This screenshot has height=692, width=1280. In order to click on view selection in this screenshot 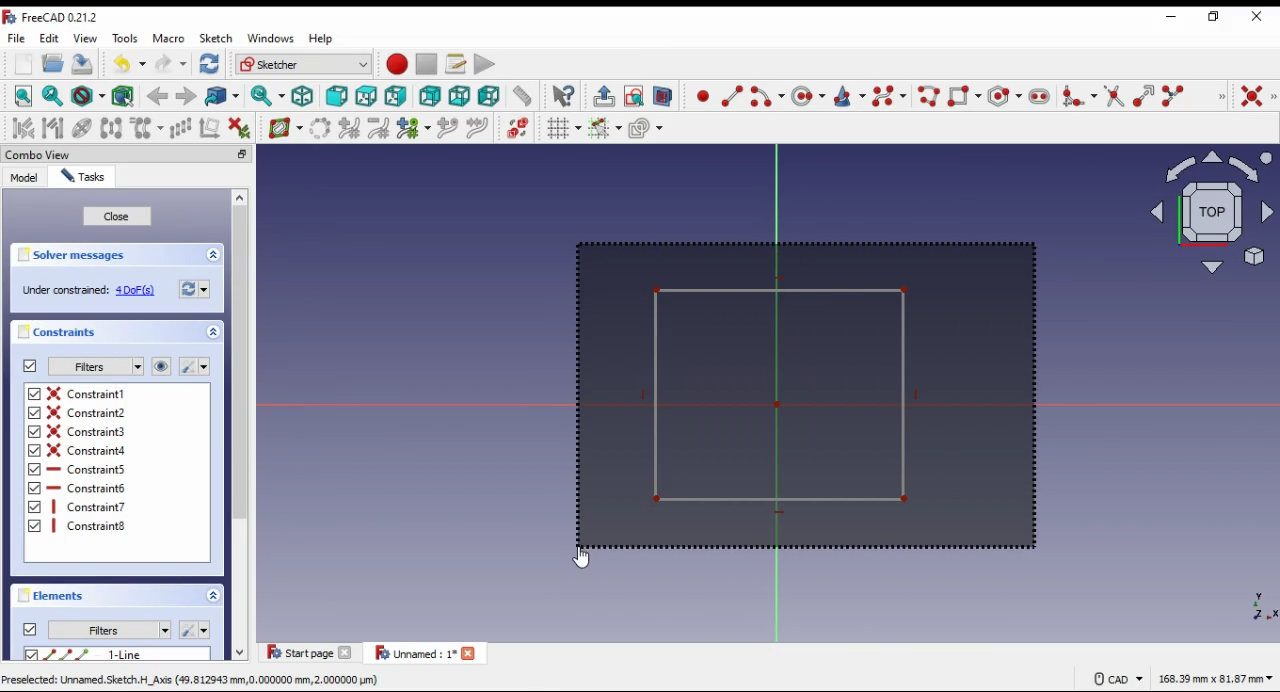, I will do `click(662, 96)`.